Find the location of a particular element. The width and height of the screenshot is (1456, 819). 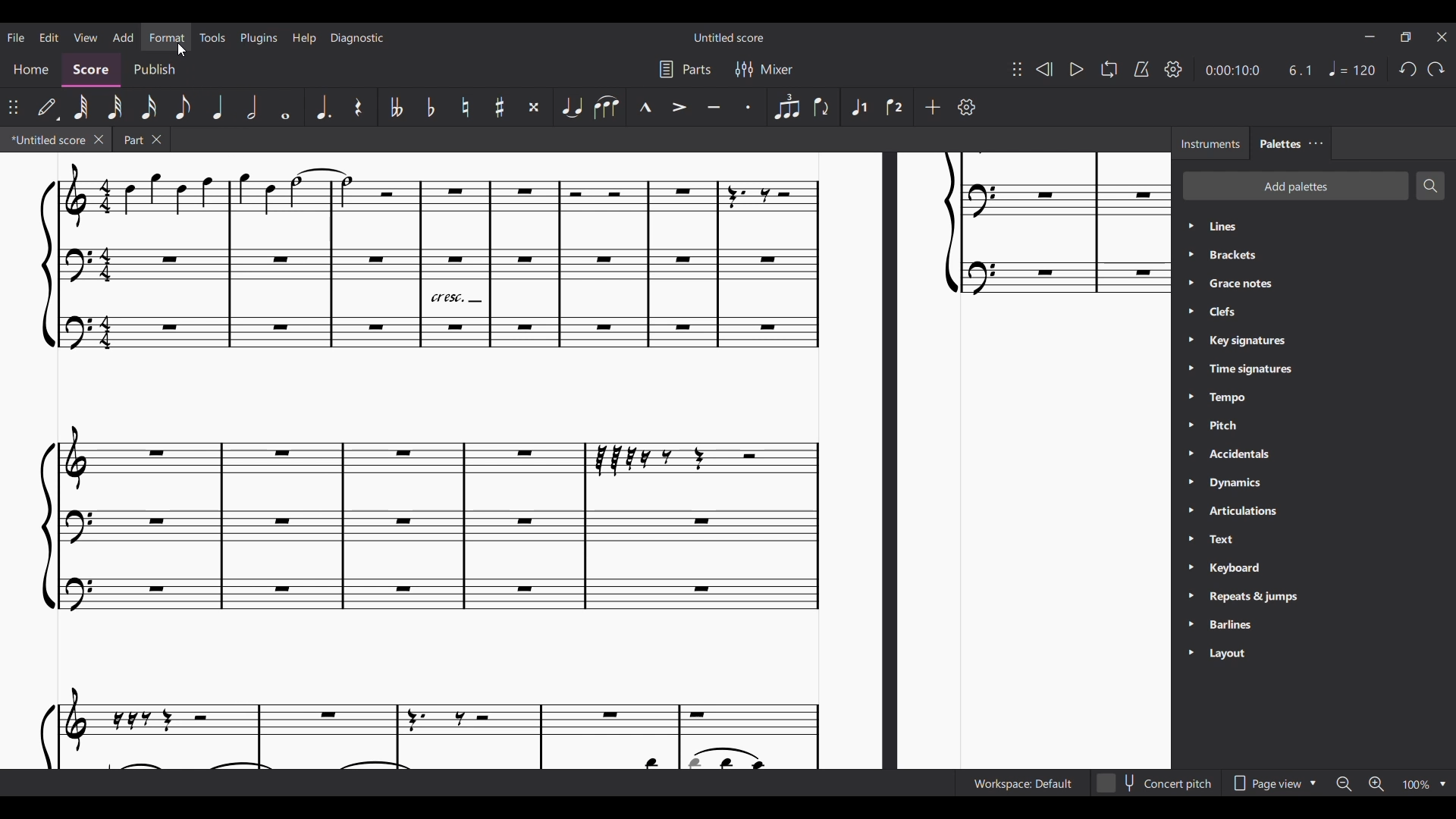

Default is located at coordinates (49, 108).